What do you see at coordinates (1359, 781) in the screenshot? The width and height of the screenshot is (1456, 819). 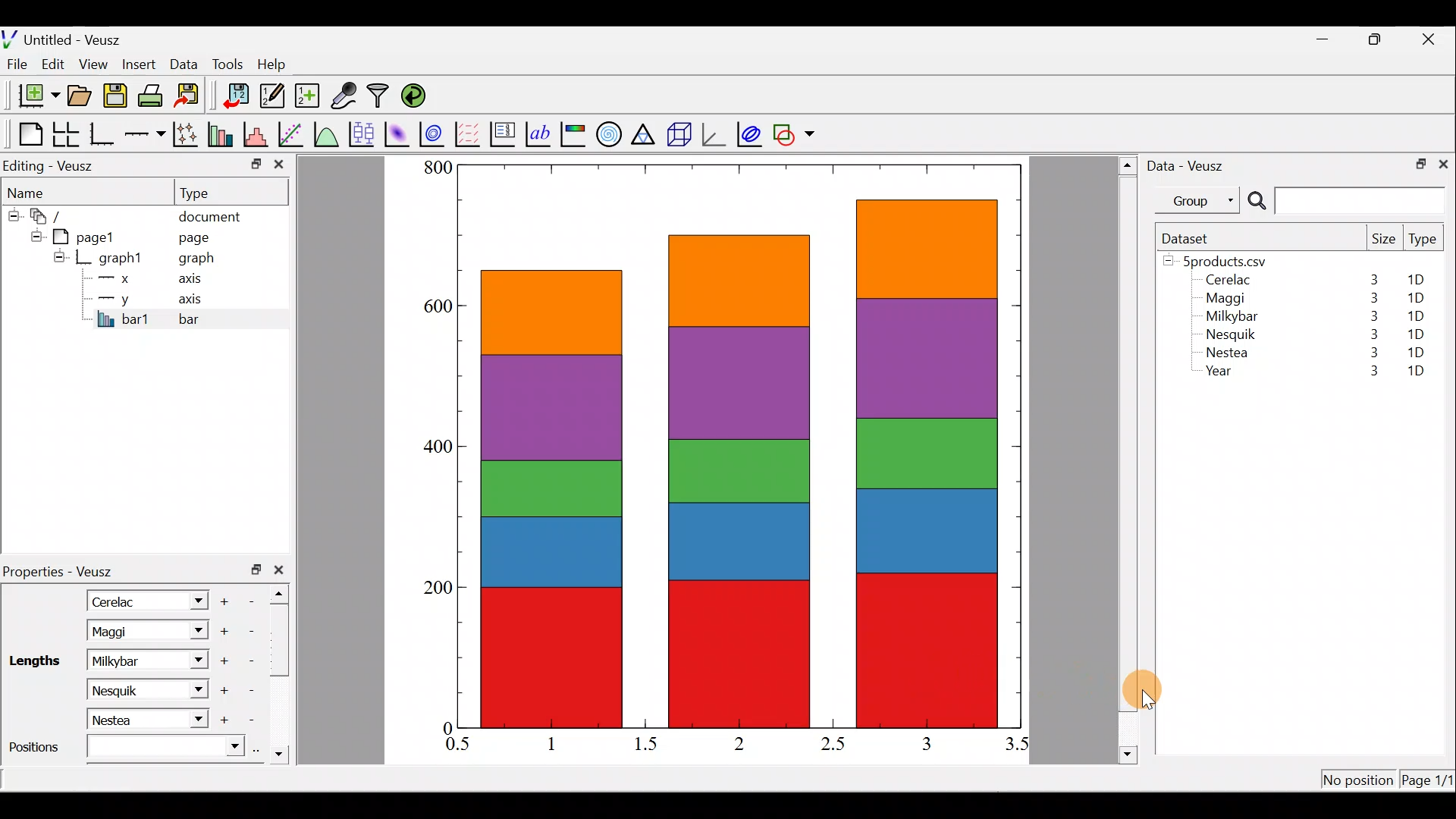 I see `No position` at bounding box center [1359, 781].